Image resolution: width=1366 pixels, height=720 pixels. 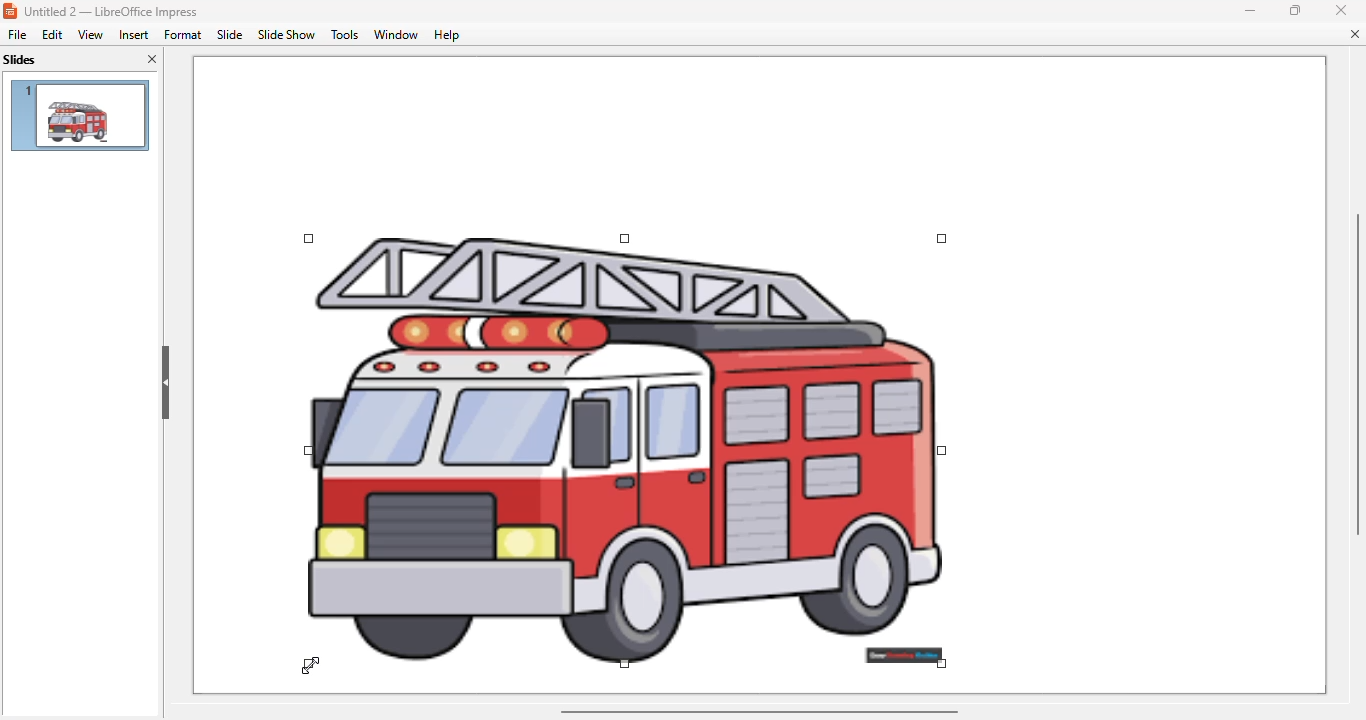 I want to click on slide 1 preview, so click(x=79, y=115).